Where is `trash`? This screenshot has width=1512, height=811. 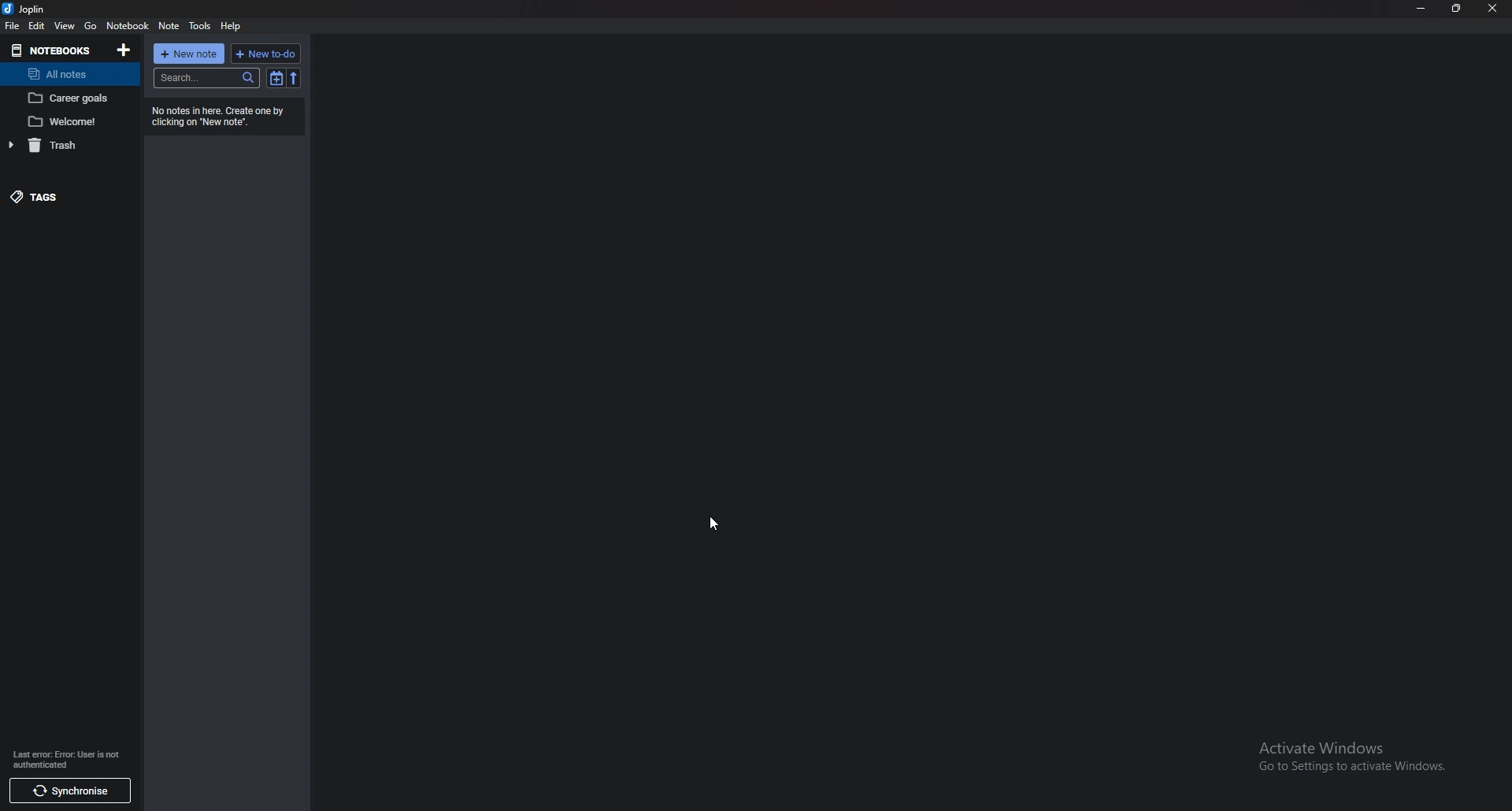 trash is located at coordinates (60, 146).